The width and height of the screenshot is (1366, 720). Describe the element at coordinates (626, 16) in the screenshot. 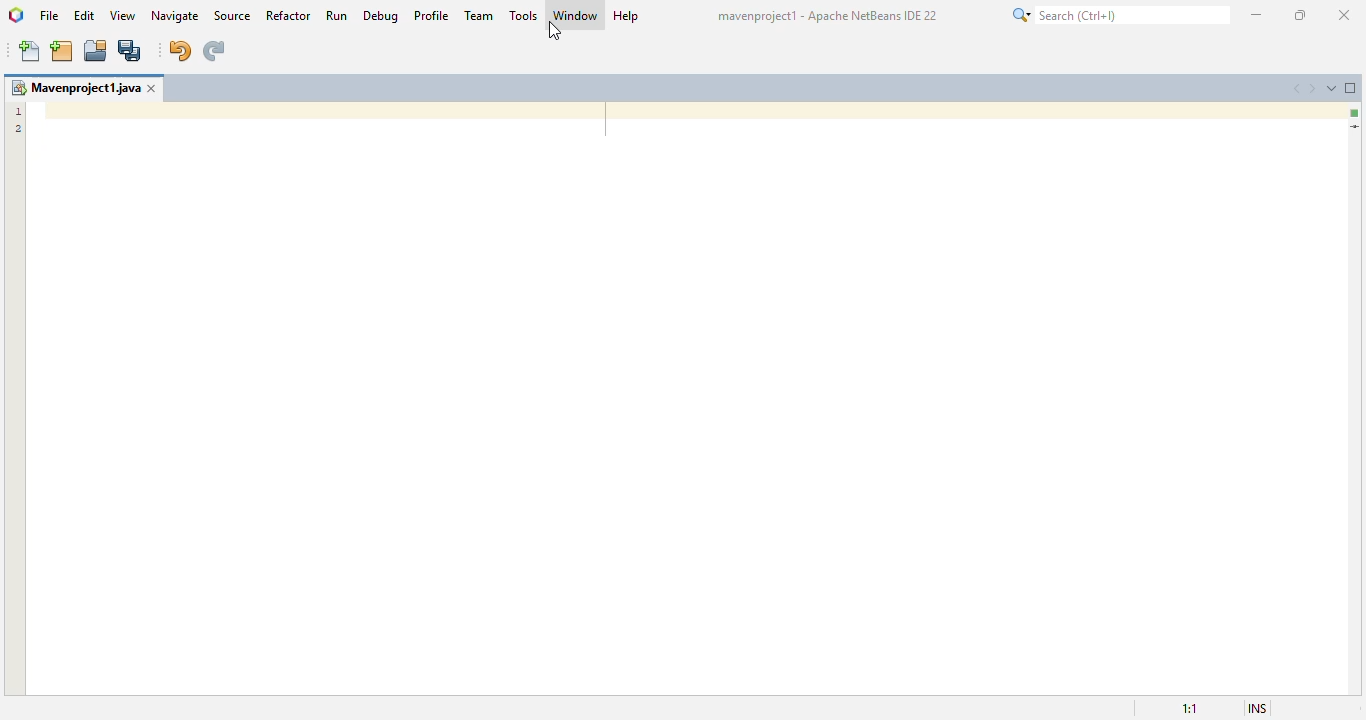

I see `help` at that location.